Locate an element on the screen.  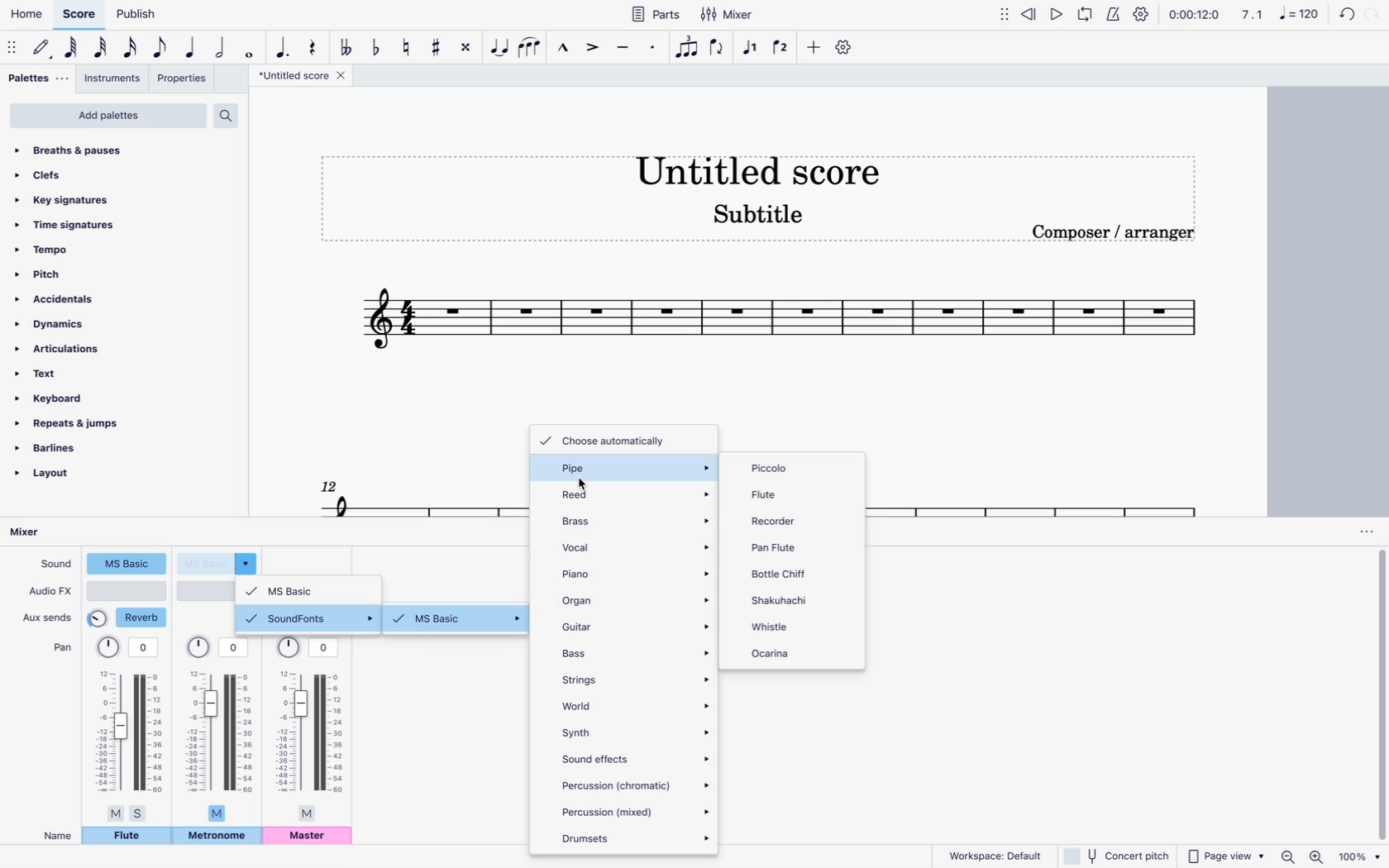
page view is located at coordinates (1224, 856).